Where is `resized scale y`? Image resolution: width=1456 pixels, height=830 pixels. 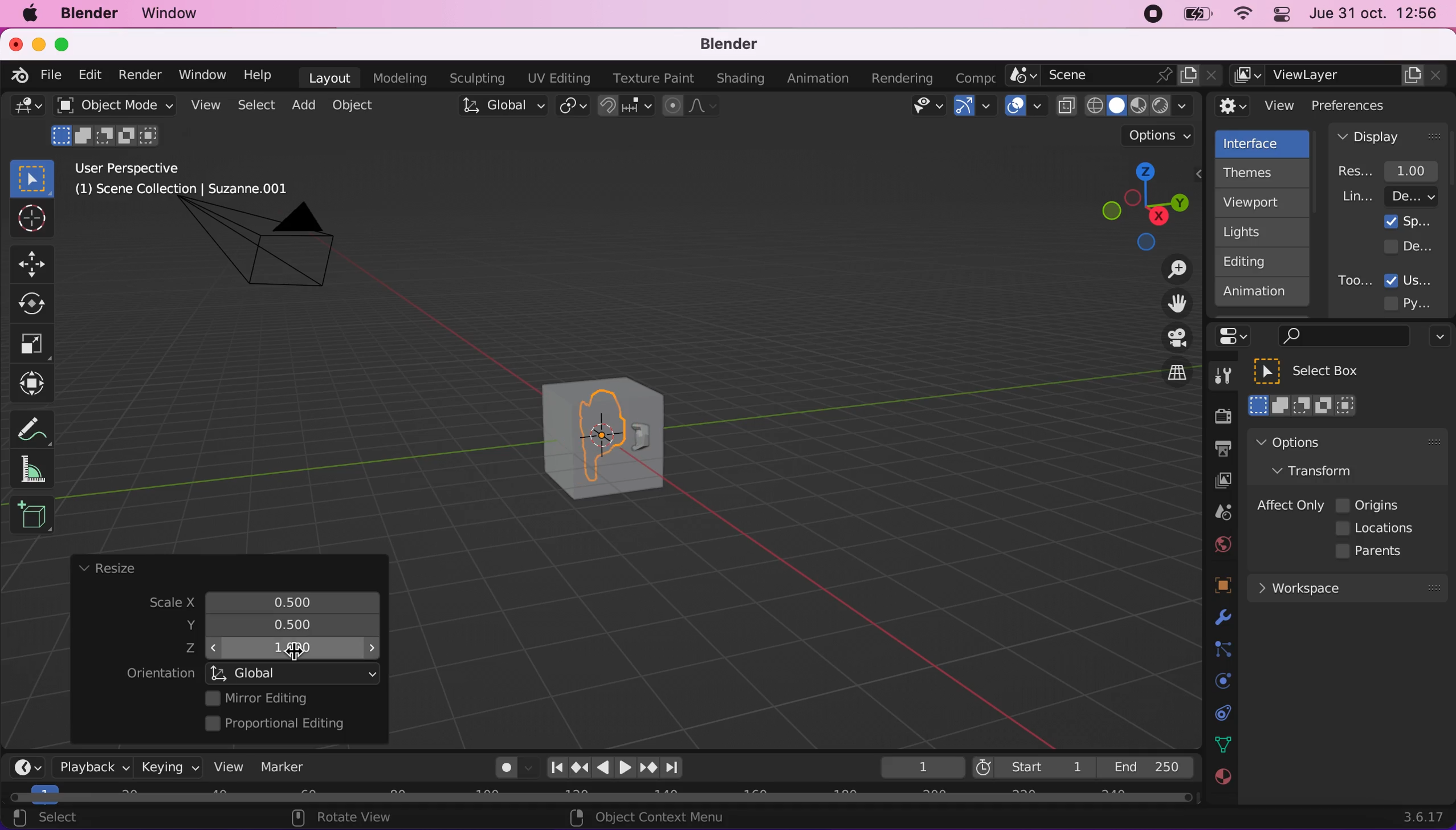
resized scale y is located at coordinates (303, 625).